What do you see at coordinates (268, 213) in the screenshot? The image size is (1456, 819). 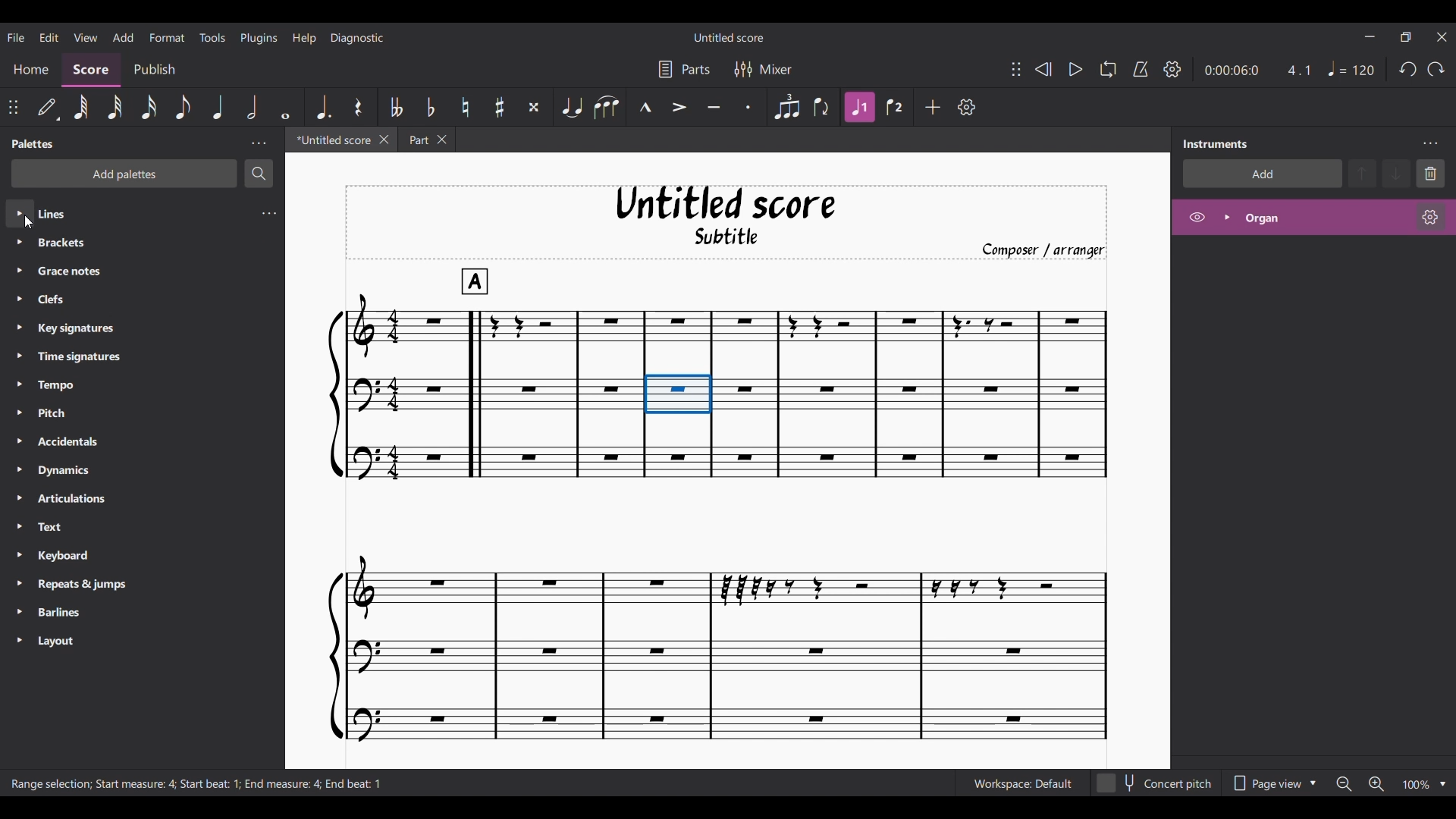 I see `Line palette settings` at bounding box center [268, 213].